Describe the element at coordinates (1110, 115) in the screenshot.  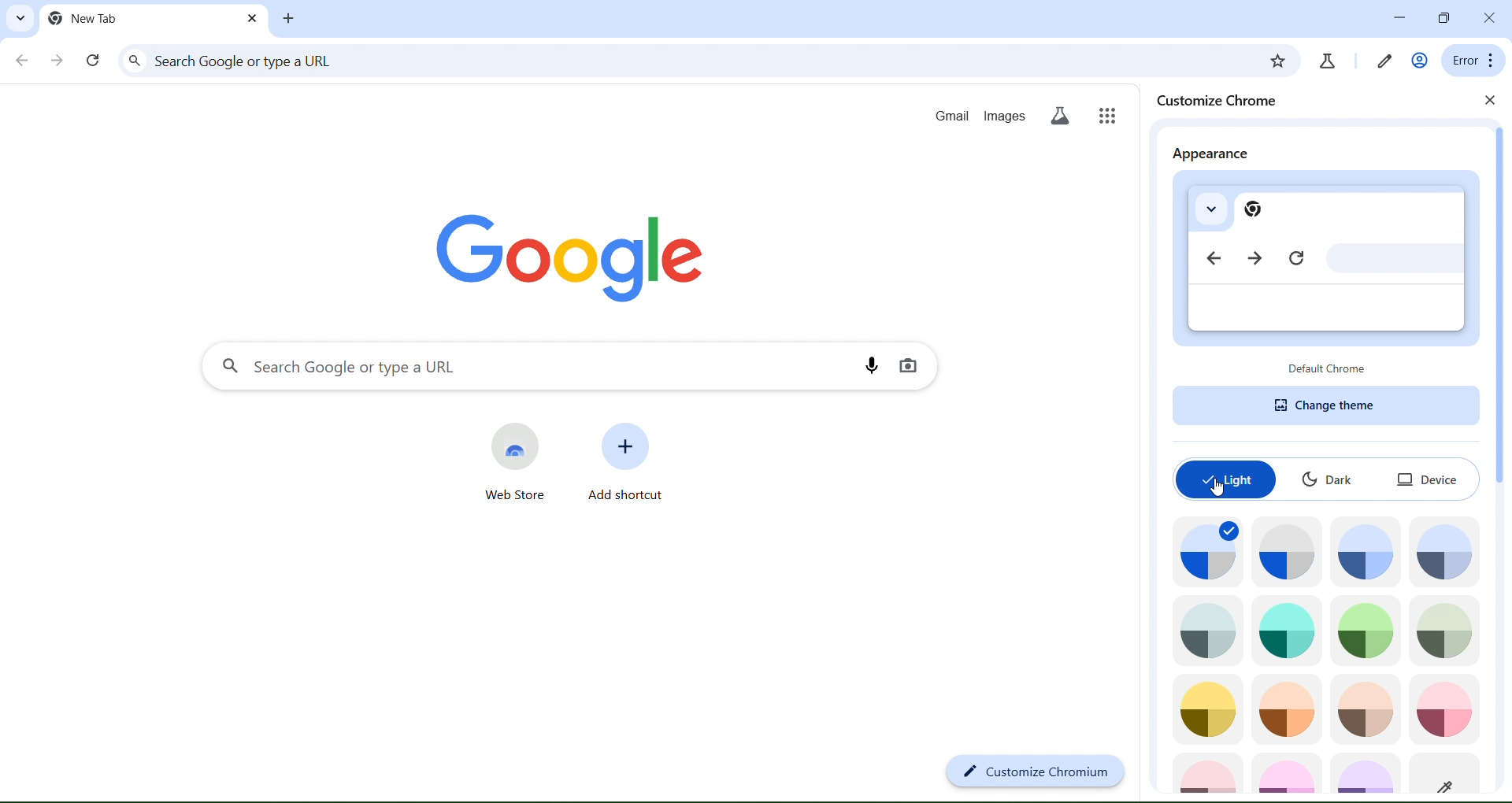
I see `google apps` at that location.